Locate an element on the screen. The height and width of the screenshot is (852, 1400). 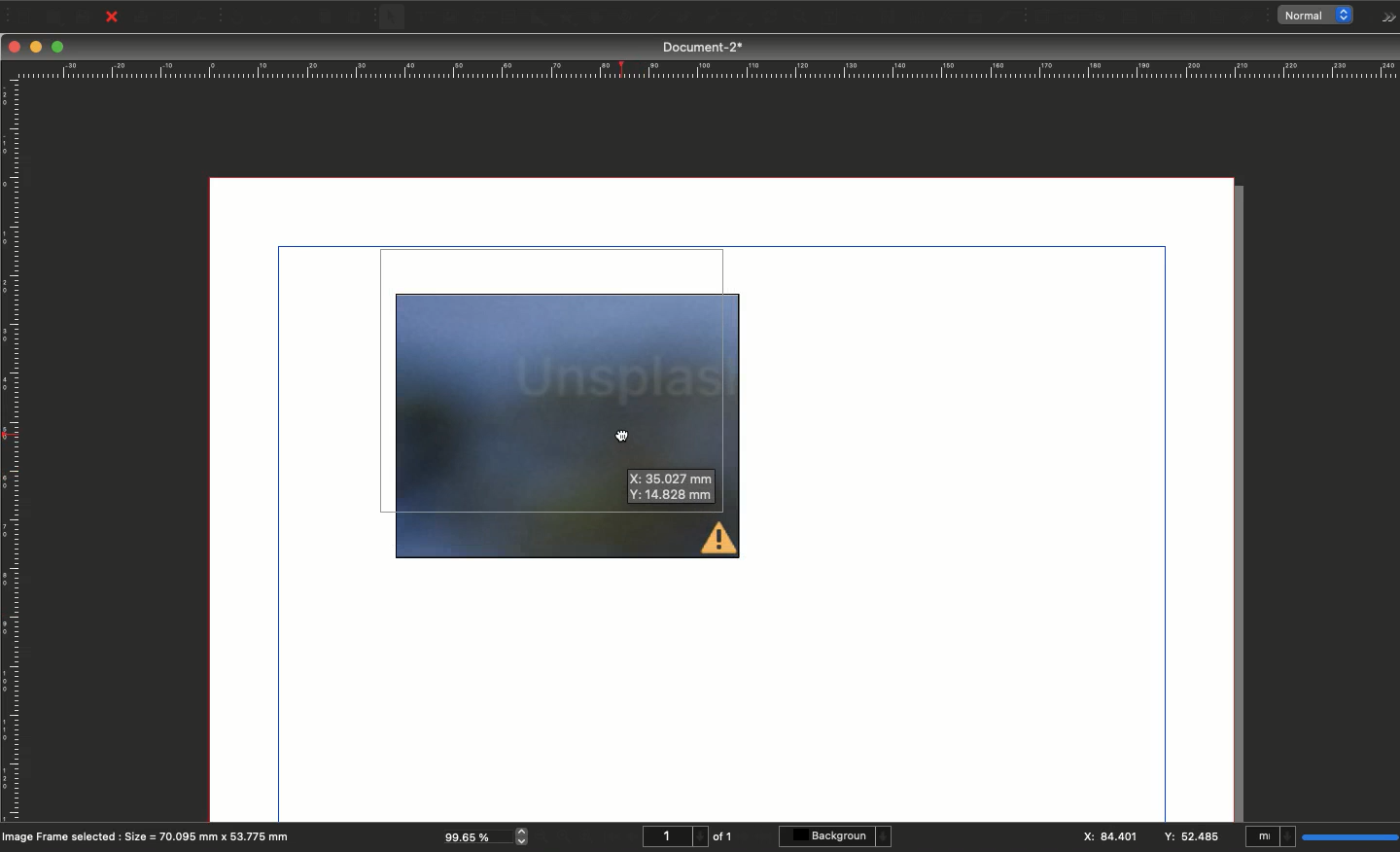
Link annotation is located at coordinates (1250, 18).